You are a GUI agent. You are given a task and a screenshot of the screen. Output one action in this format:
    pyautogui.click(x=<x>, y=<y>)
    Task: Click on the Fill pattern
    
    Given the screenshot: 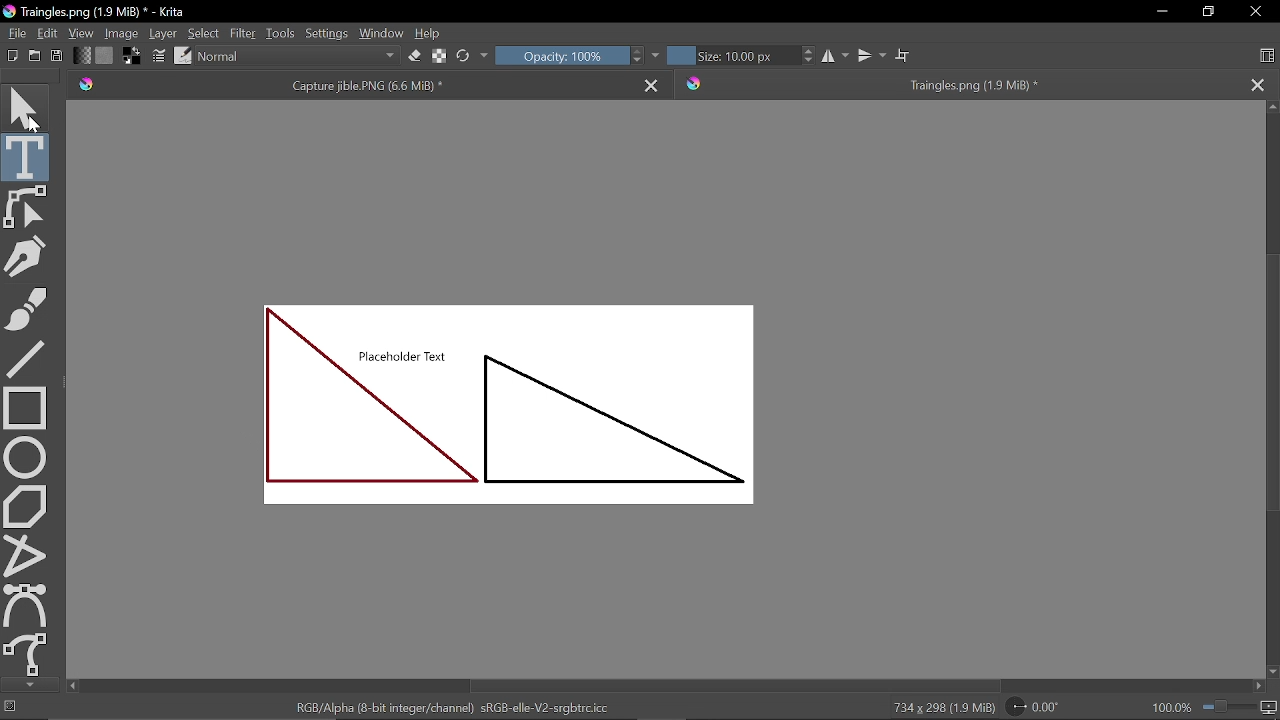 What is the action you would take?
    pyautogui.click(x=105, y=55)
    